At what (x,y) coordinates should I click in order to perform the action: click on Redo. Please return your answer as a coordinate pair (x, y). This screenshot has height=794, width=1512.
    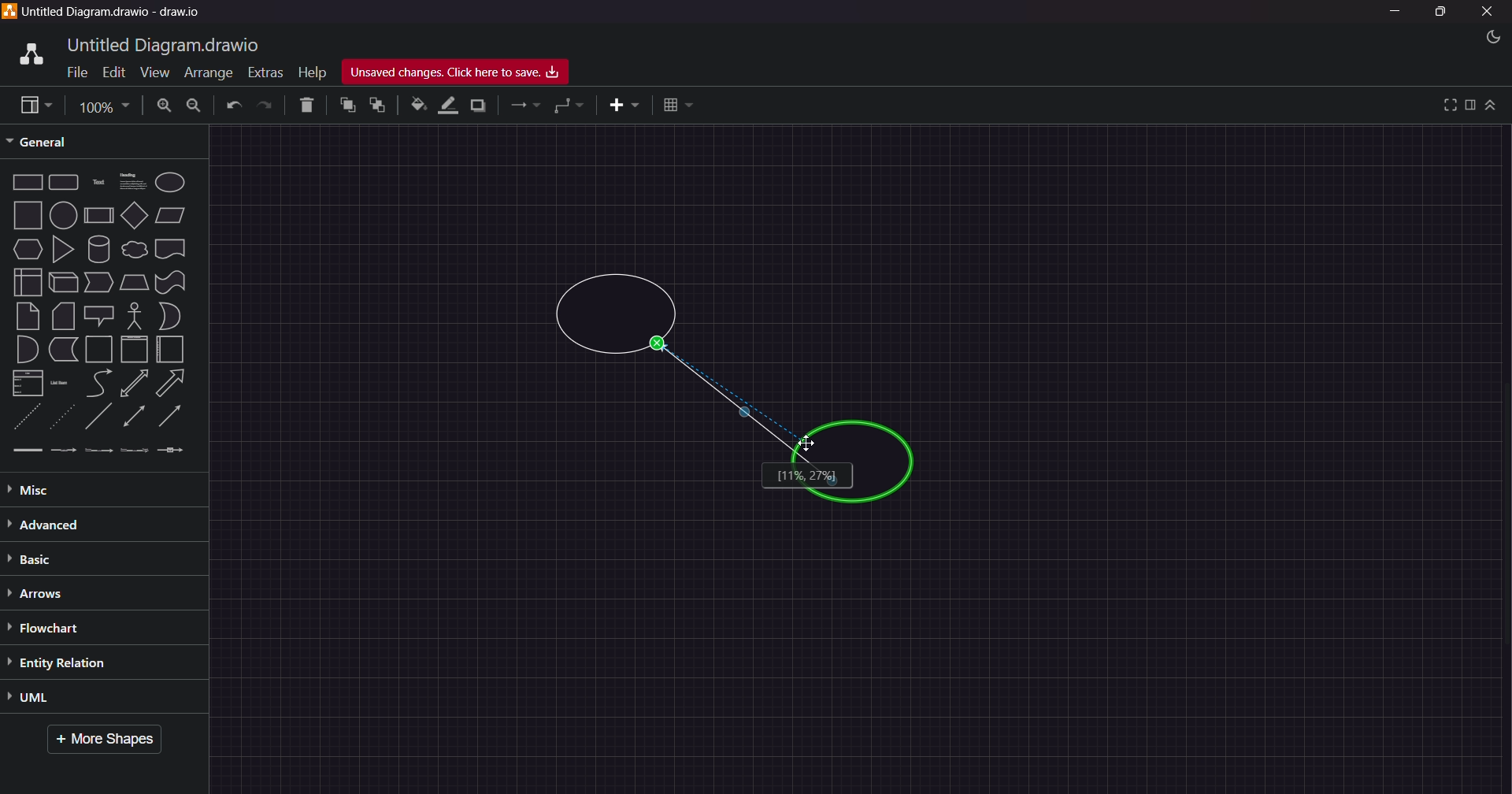
    Looking at the image, I should click on (267, 106).